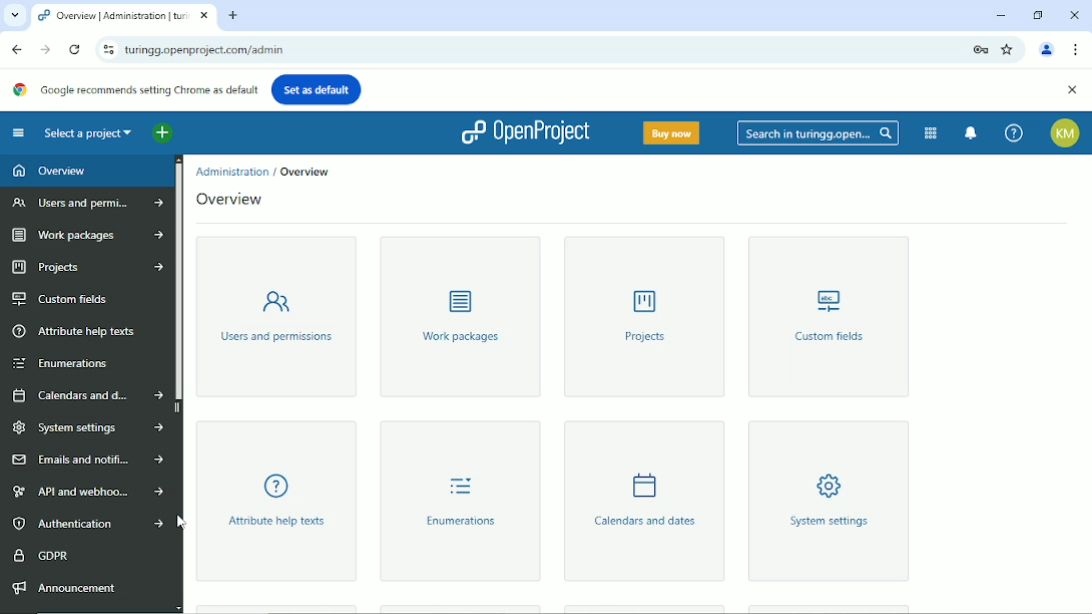 The image size is (1092, 614). Describe the element at coordinates (78, 331) in the screenshot. I see `Attribute help texts` at that location.